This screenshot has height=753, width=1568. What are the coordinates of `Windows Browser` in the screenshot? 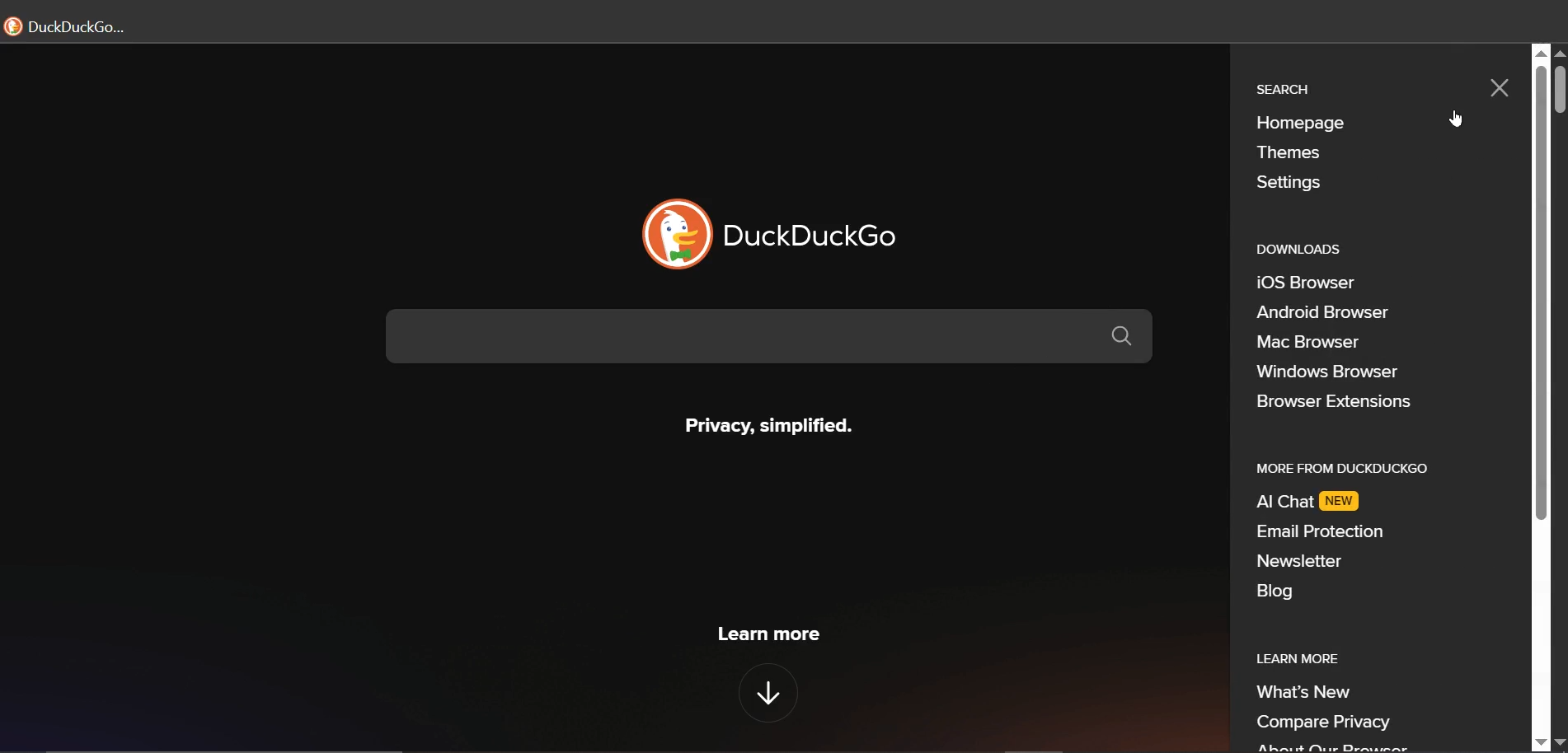 It's located at (1328, 372).